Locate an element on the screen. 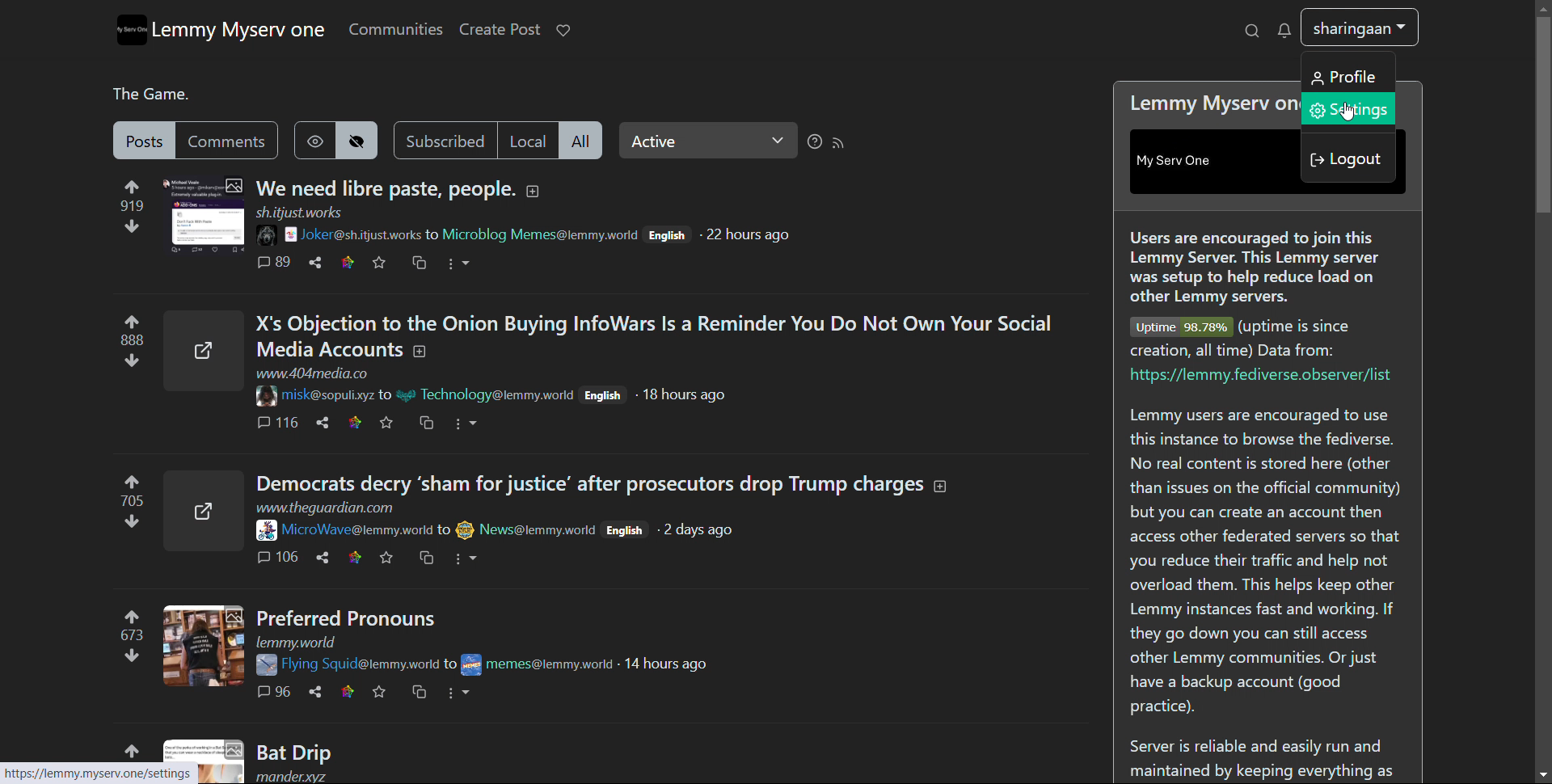  89 comments is located at coordinates (272, 264).